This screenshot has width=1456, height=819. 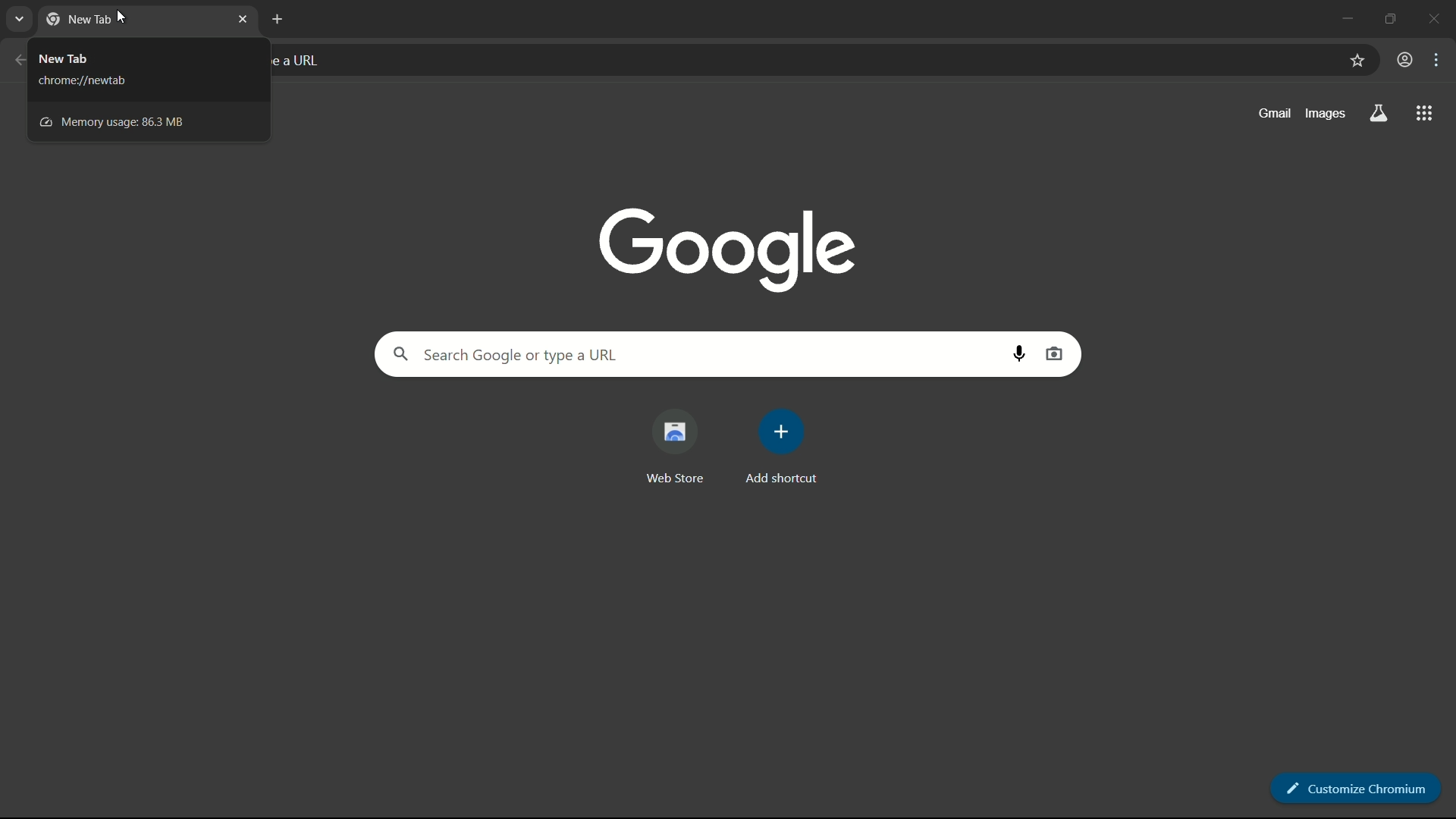 What do you see at coordinates (1357, 61) in the screenshot?
I see `bookmark this tab` at bounding box center [1357, 61].